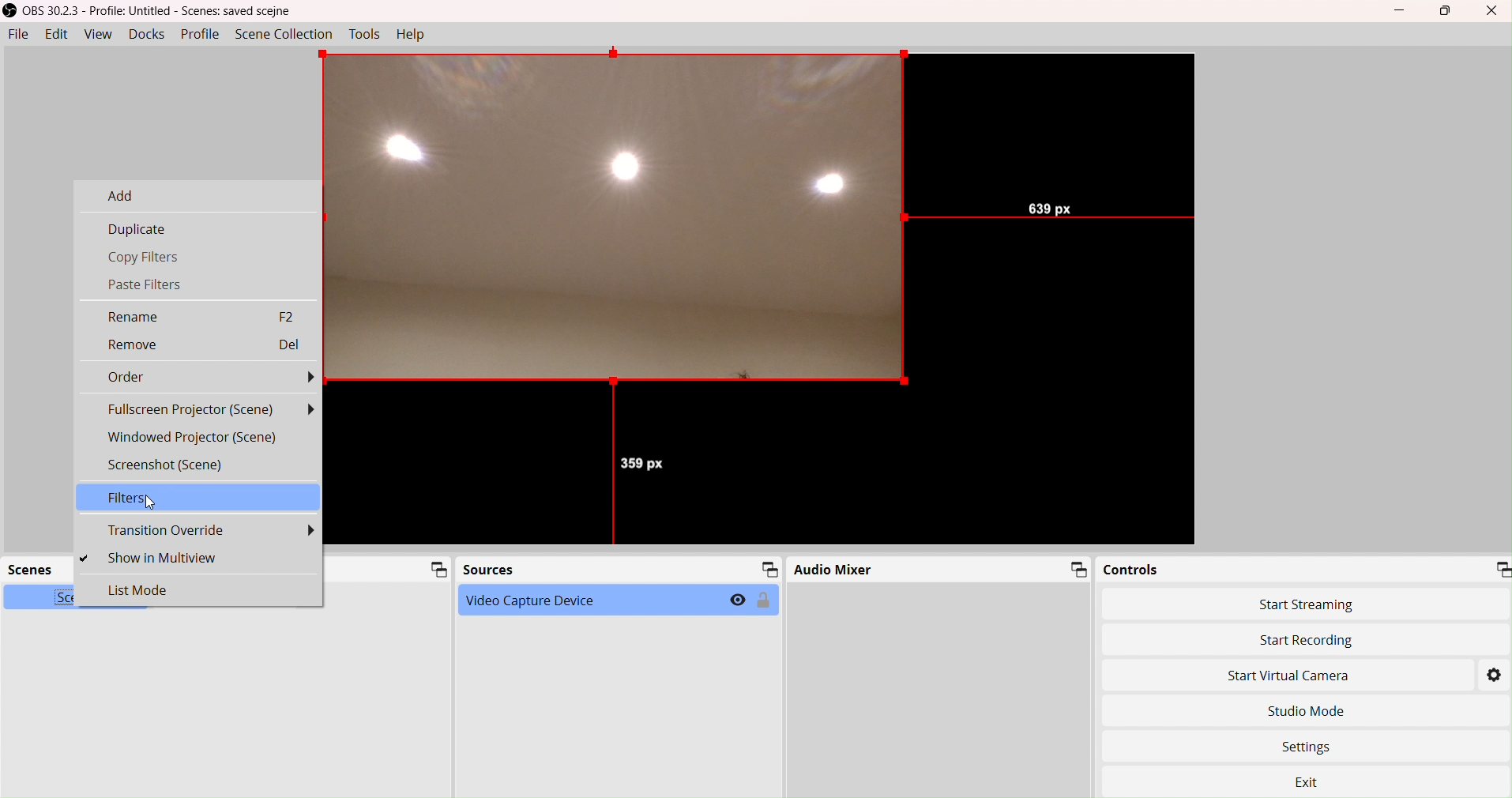 The height and width of the screenshot is (798, 1512). I want to click on SceneCollection, so click(284, 36).